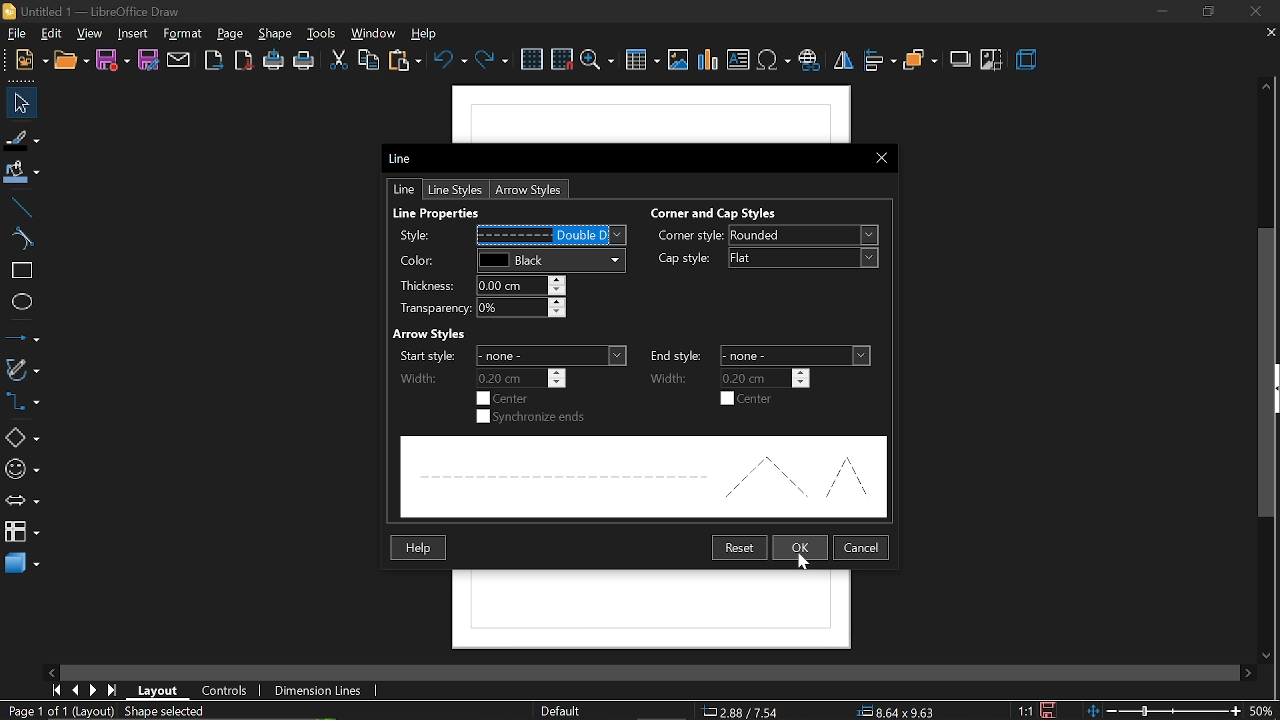  I want to click on line, so click(24, 204).